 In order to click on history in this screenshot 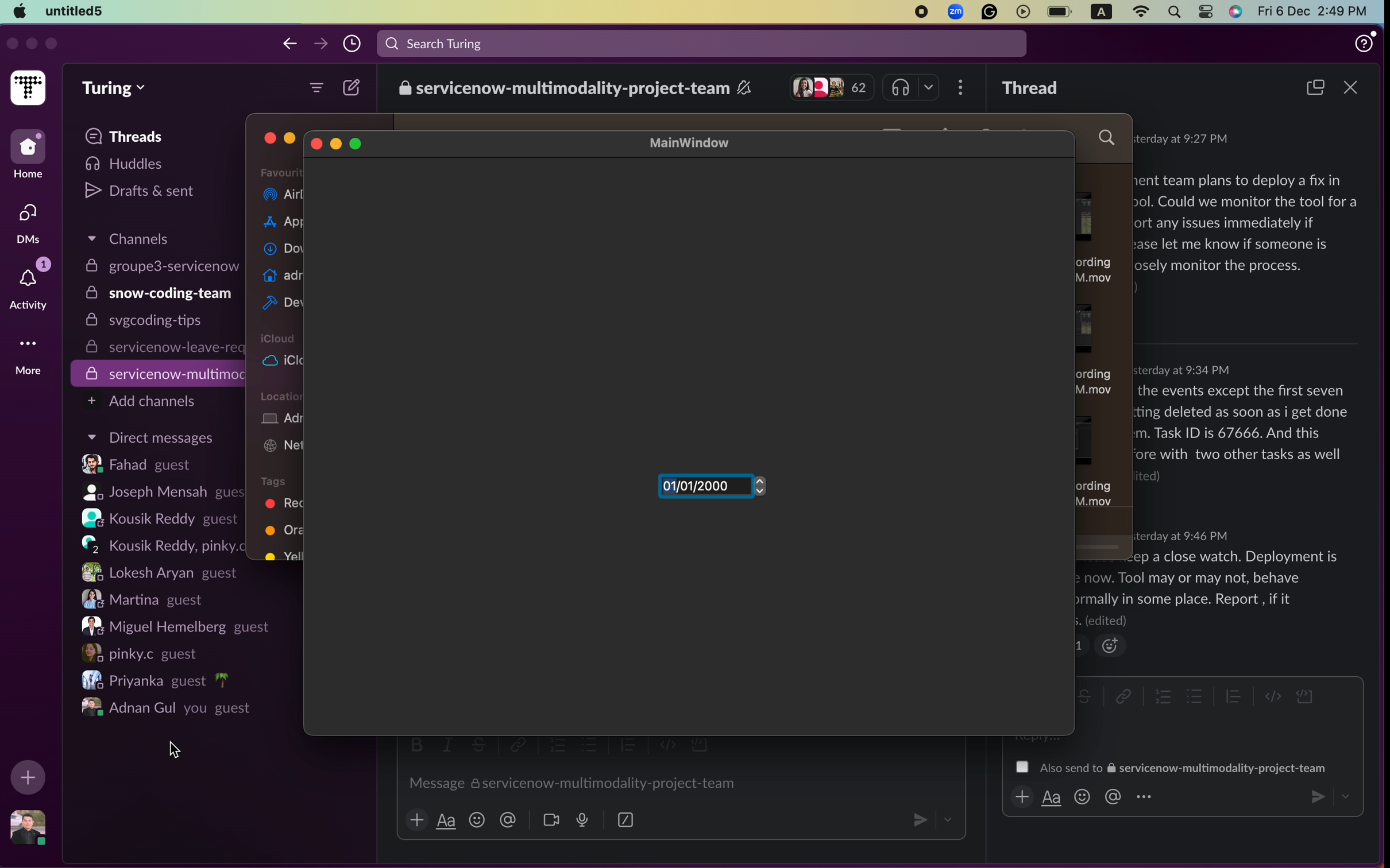, I will do `click(353, 44)`.